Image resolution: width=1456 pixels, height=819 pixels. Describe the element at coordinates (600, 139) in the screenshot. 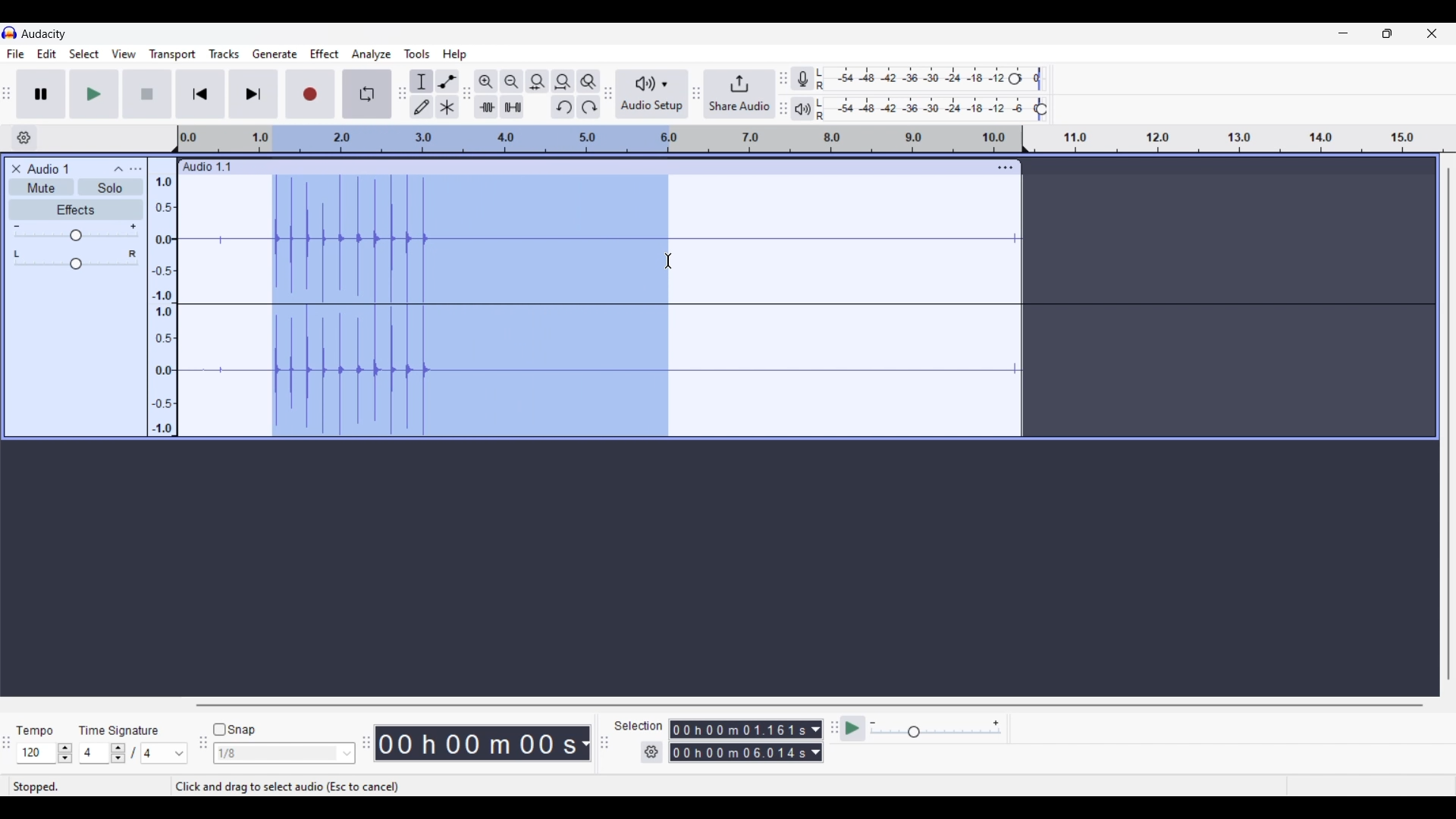

I see `Scale` at that location.